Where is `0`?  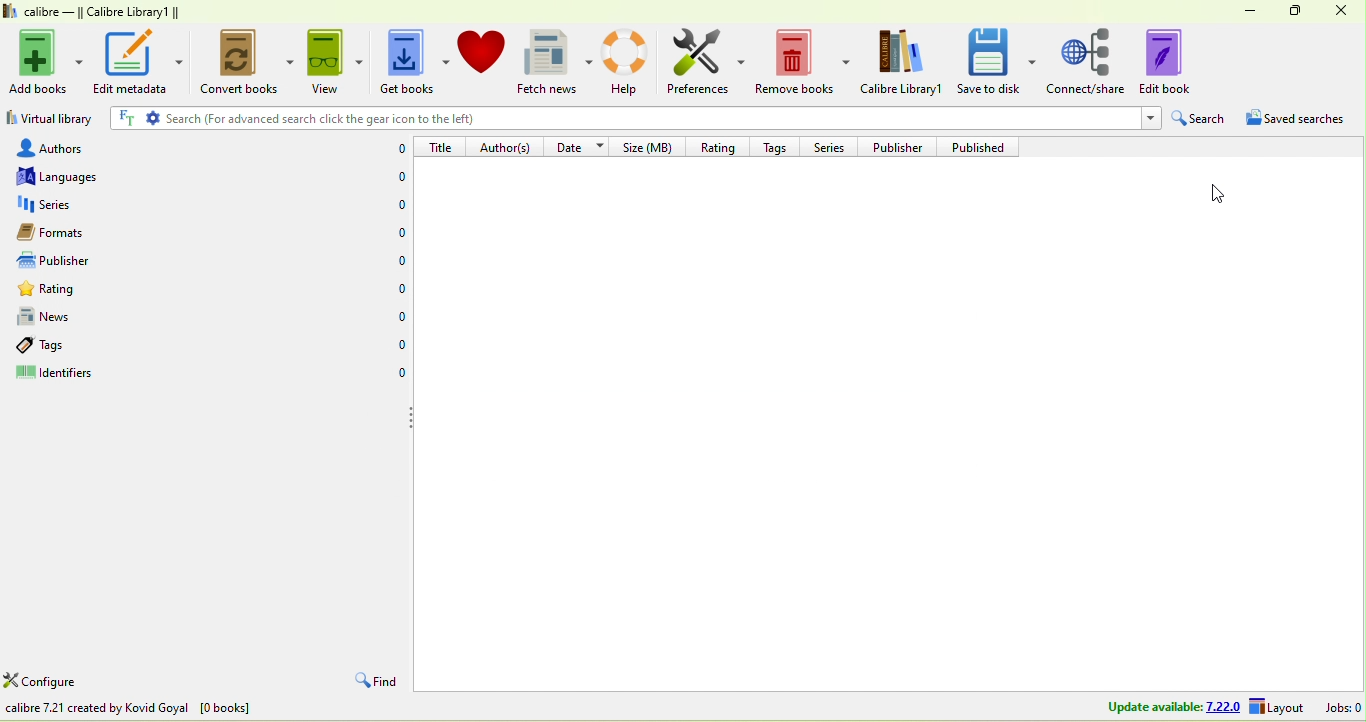
0 is located at coordinates (395, 260).